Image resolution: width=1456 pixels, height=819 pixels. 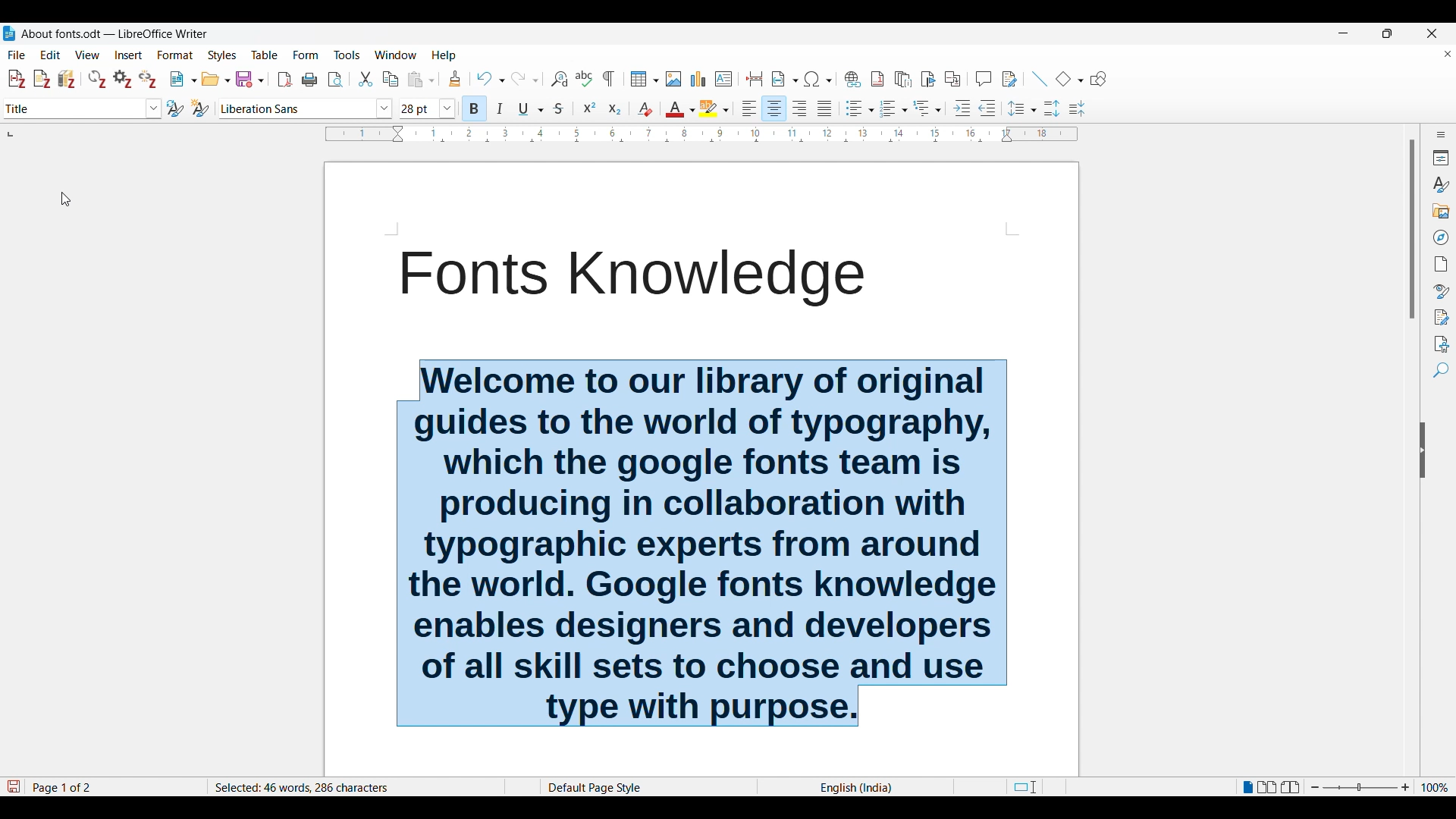 I want to click on Text color options, so click(x=681, y=108).